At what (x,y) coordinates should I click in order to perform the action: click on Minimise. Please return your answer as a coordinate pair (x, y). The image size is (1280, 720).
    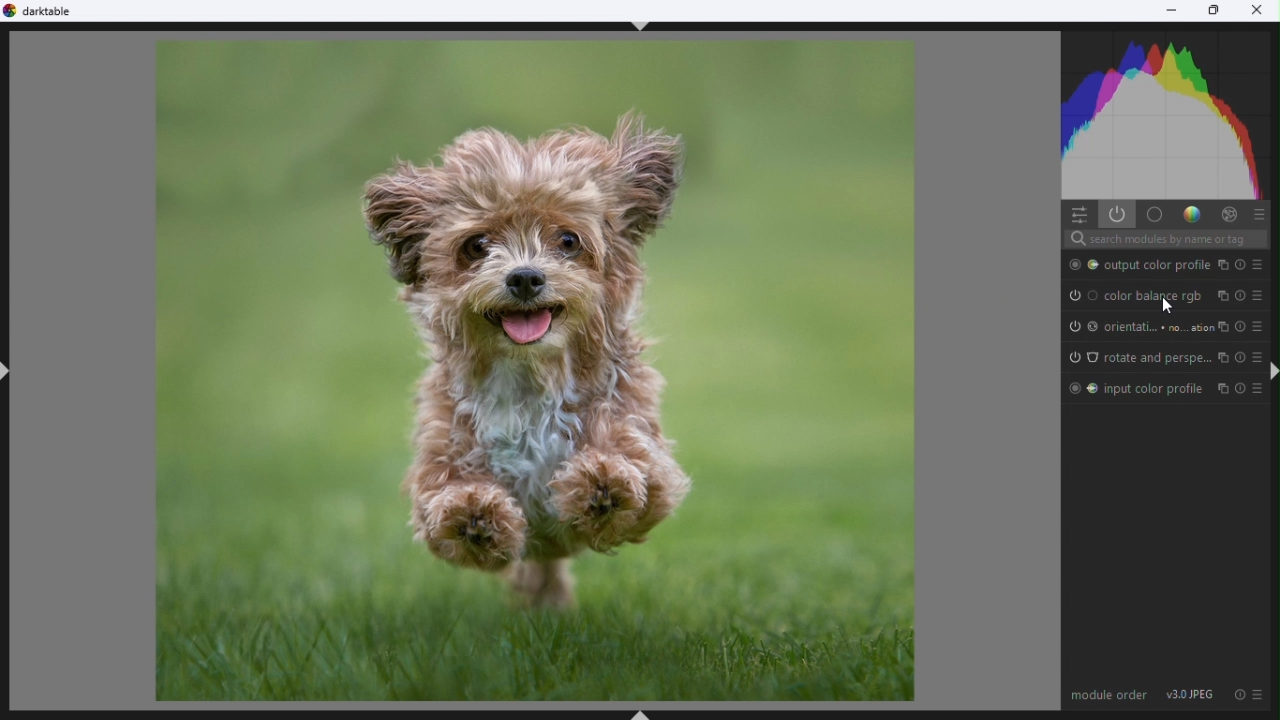
    Looking at the image, I should click on (1172, 10).